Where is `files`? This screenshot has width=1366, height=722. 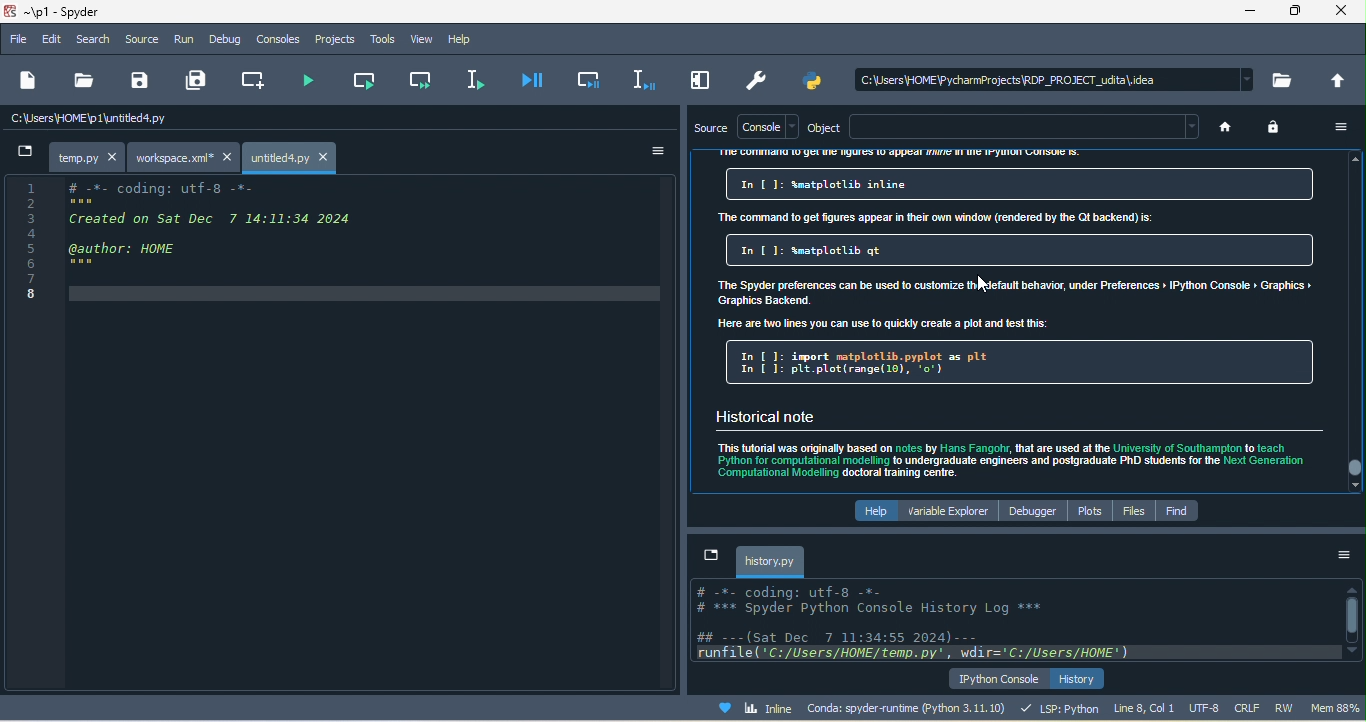 files is located at coordinates (1133, 512).